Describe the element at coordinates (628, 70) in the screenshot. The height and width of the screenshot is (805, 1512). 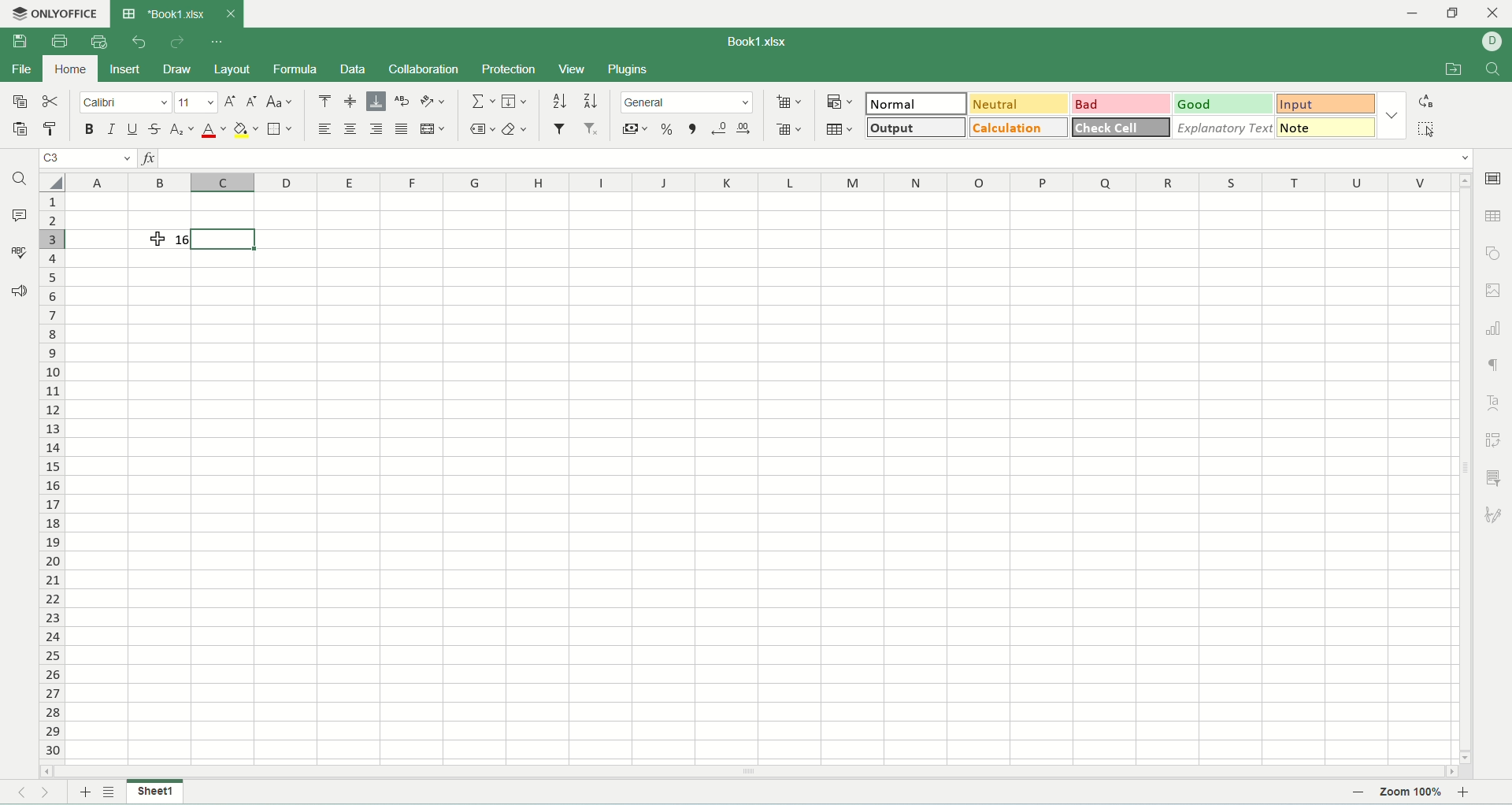
I see `plugins` at that location.